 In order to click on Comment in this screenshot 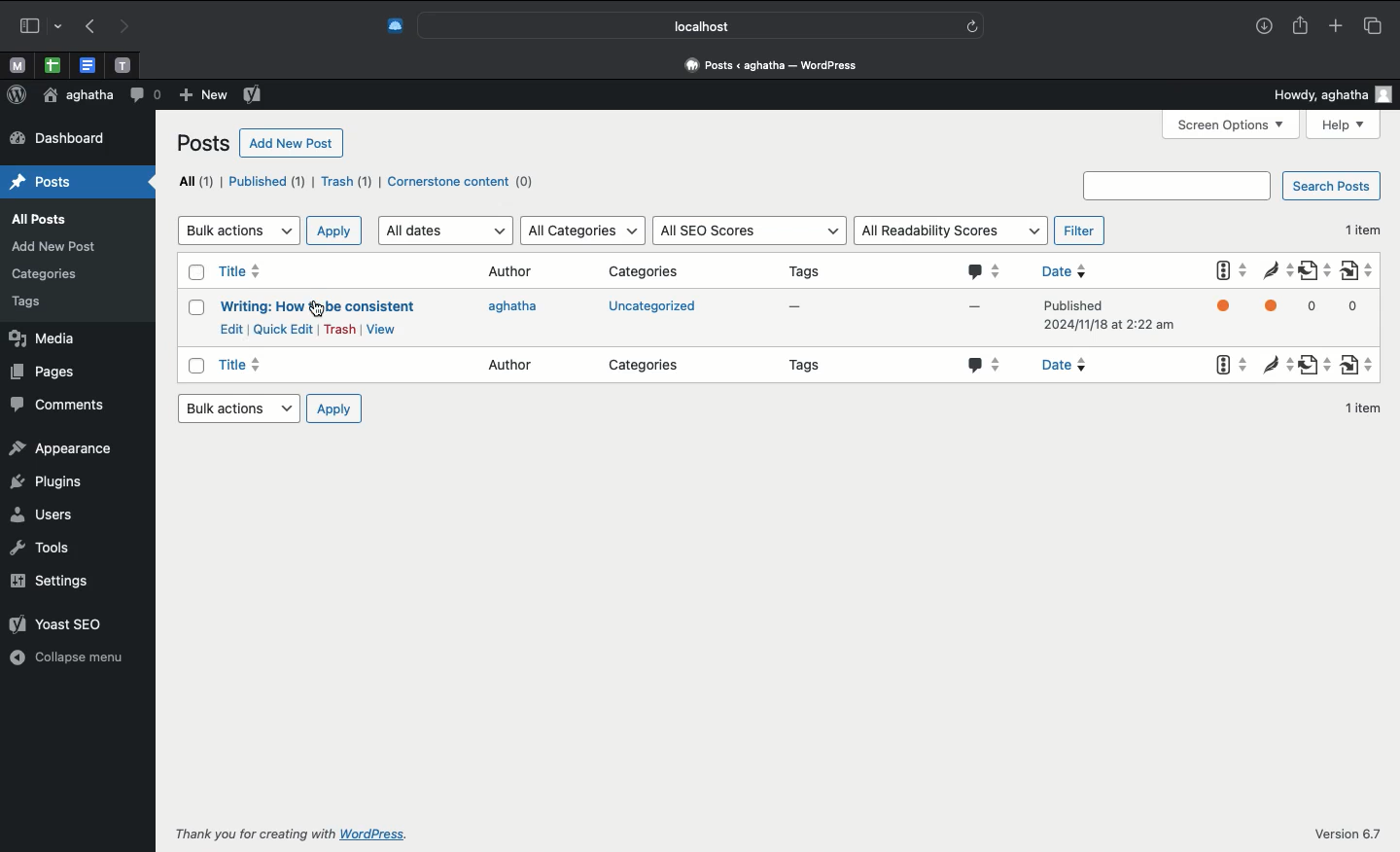, I will do `click(981, 272)`.